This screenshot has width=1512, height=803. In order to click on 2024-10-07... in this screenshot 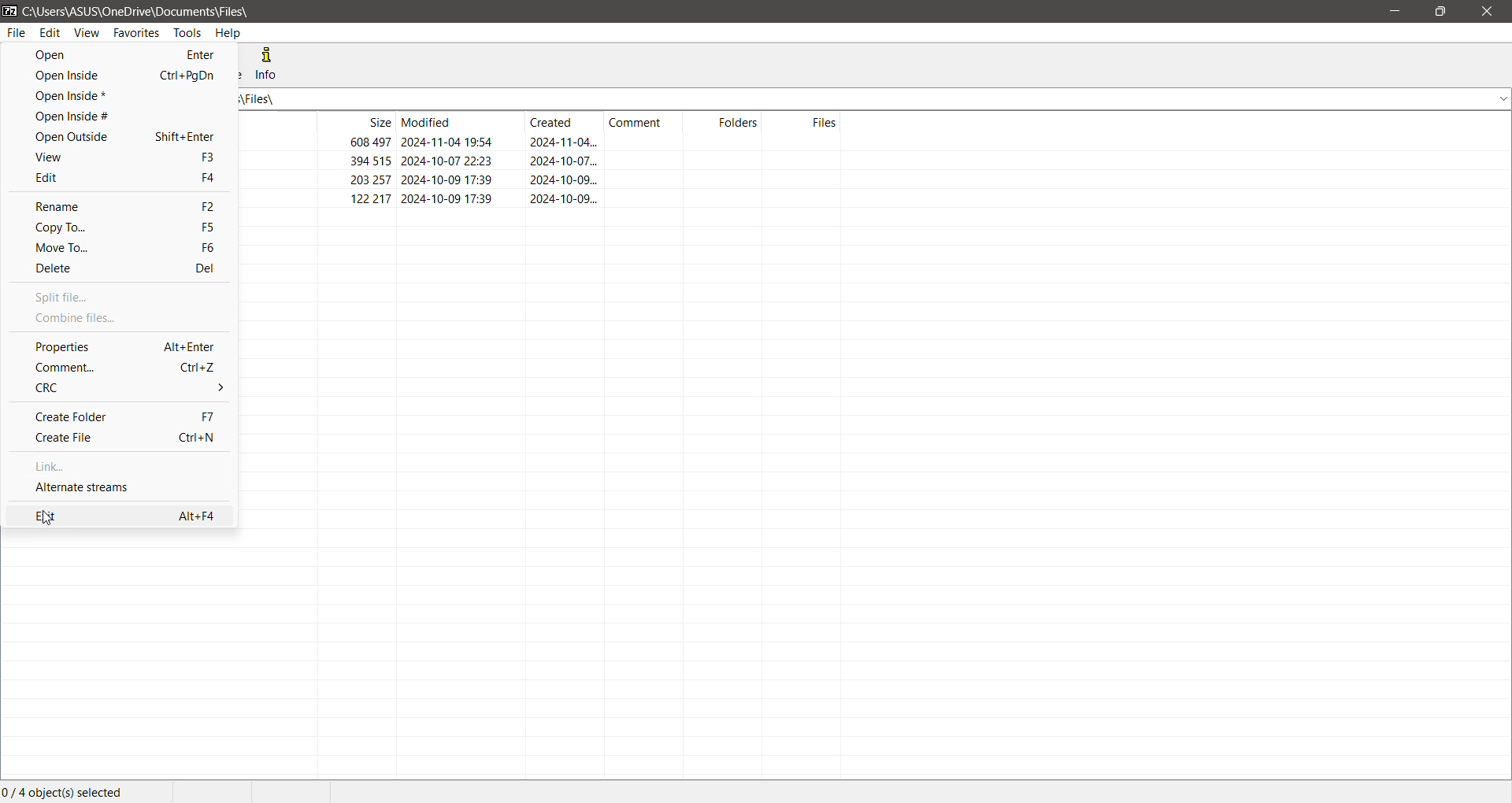, I will do `click(565, 159)`.